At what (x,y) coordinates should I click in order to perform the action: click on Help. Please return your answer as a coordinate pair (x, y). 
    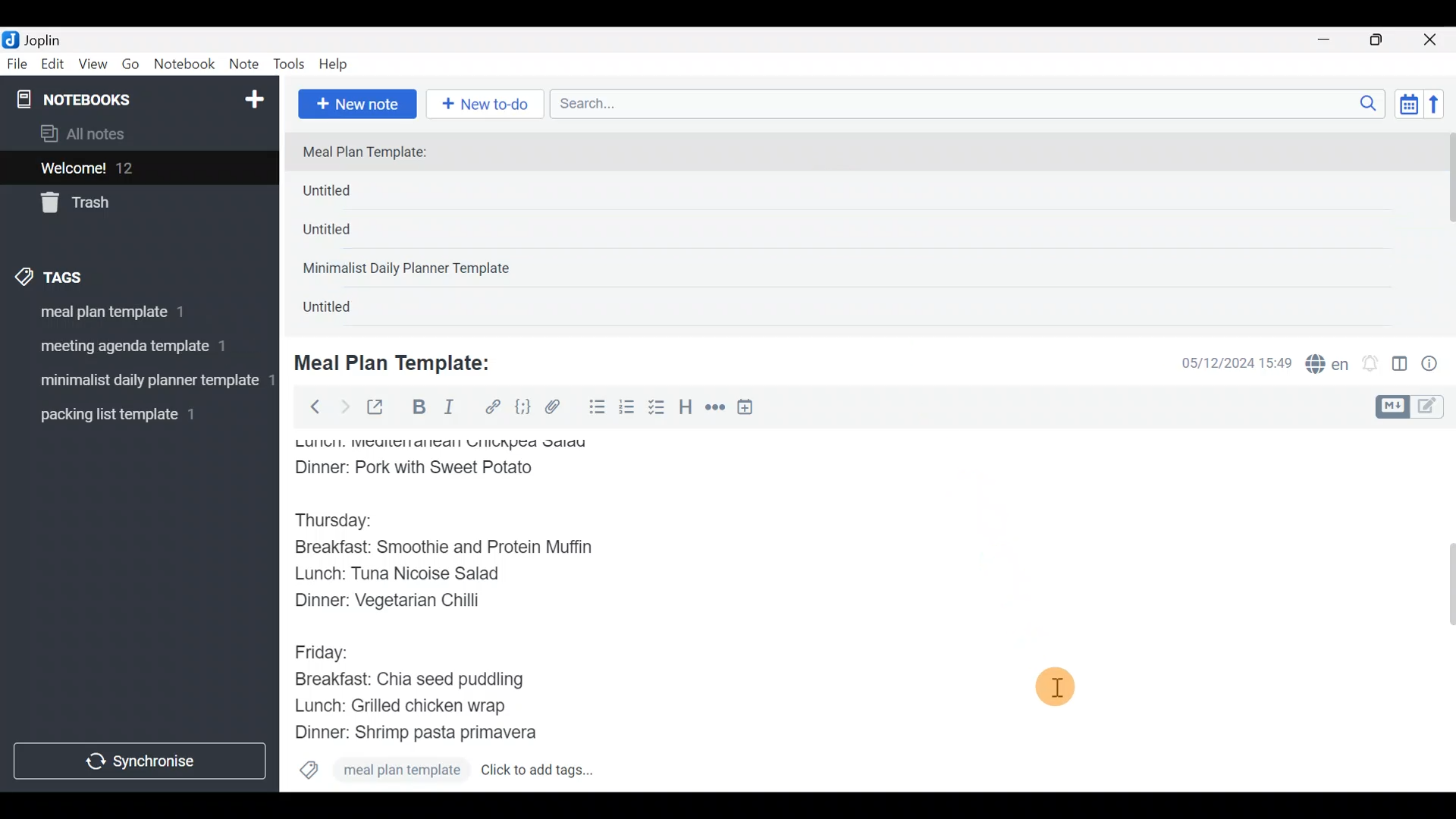
    Looking at the image, I should click on (339, 61).